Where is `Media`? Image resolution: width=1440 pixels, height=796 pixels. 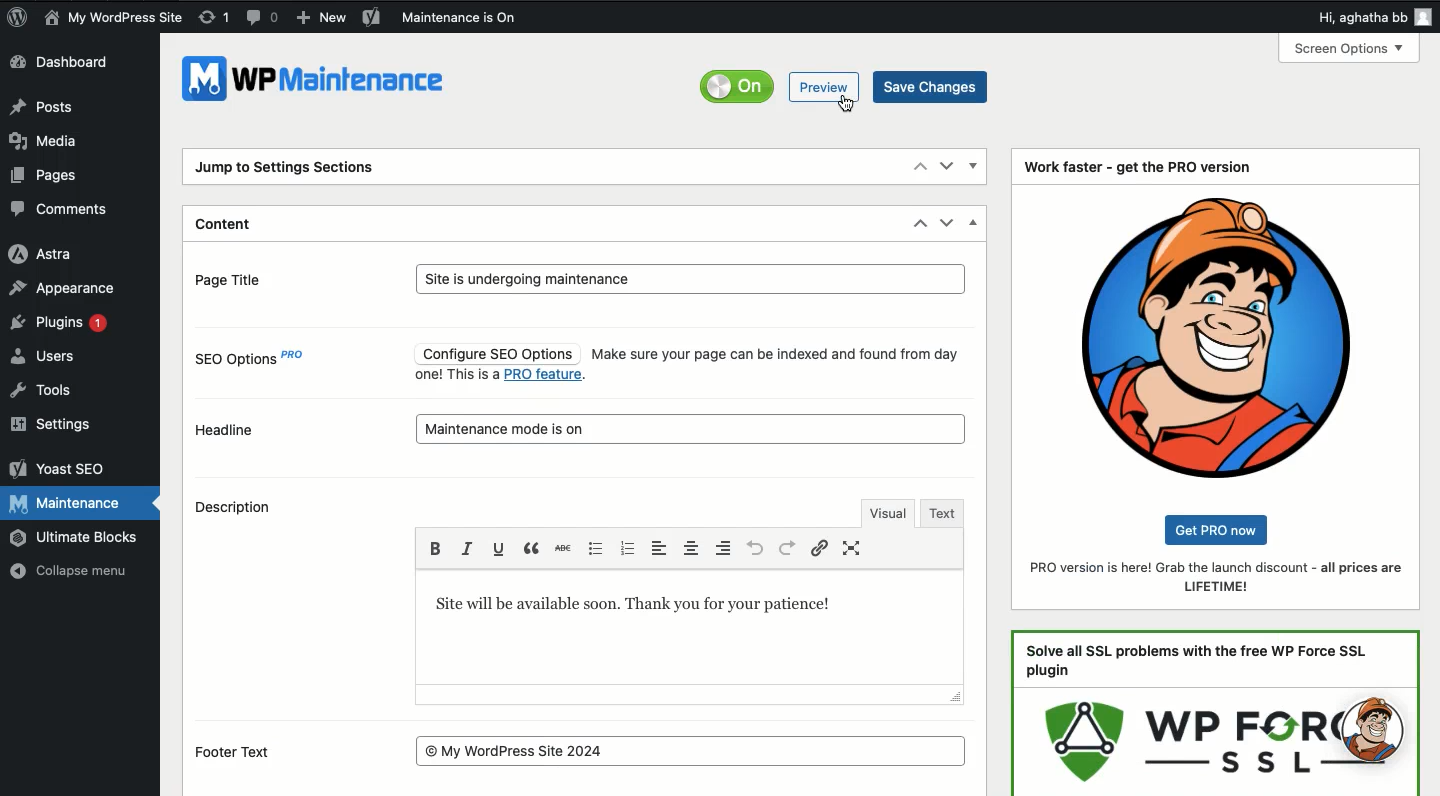
Media is located at coordinates (43, 140).